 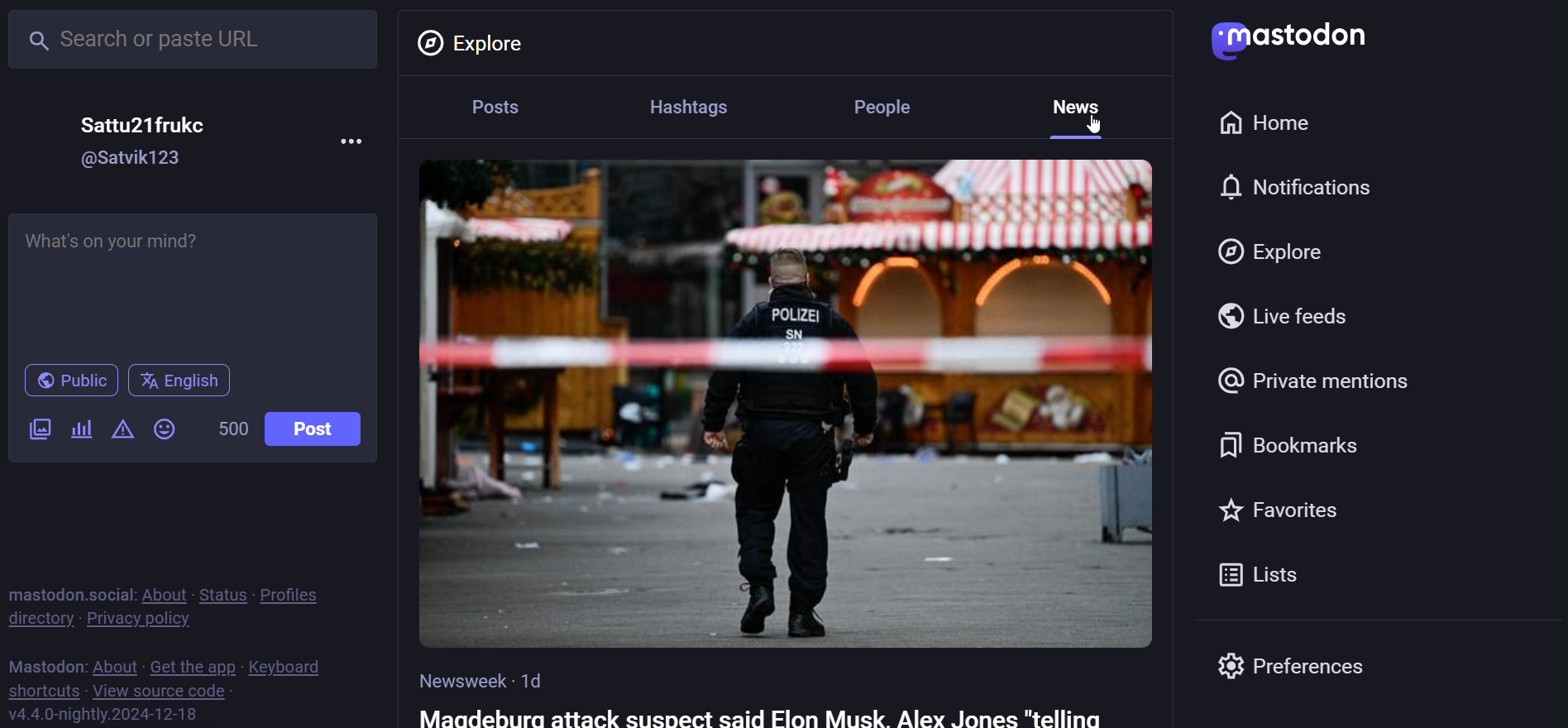 I want to click on more, so click(x=354, y=141).